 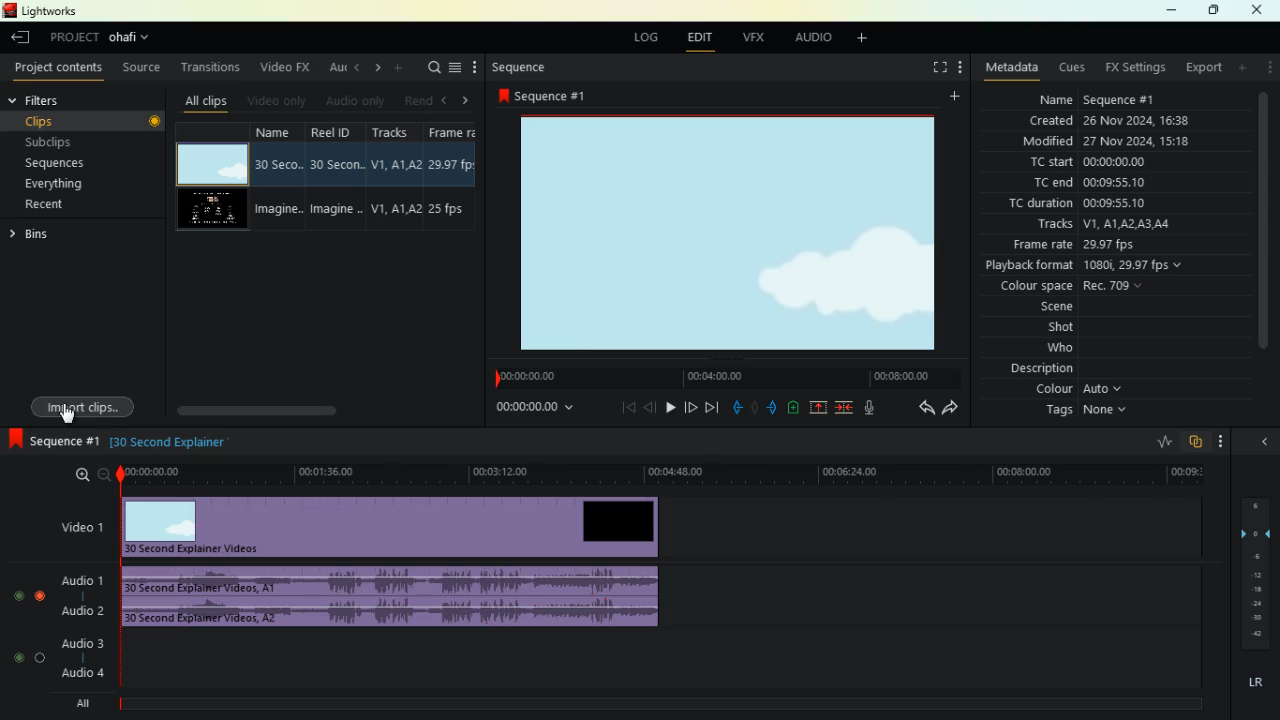 What do you see at coordinates (1251, 683) in the screenshot?
I see `lr` at bounding box center [1251, 683].